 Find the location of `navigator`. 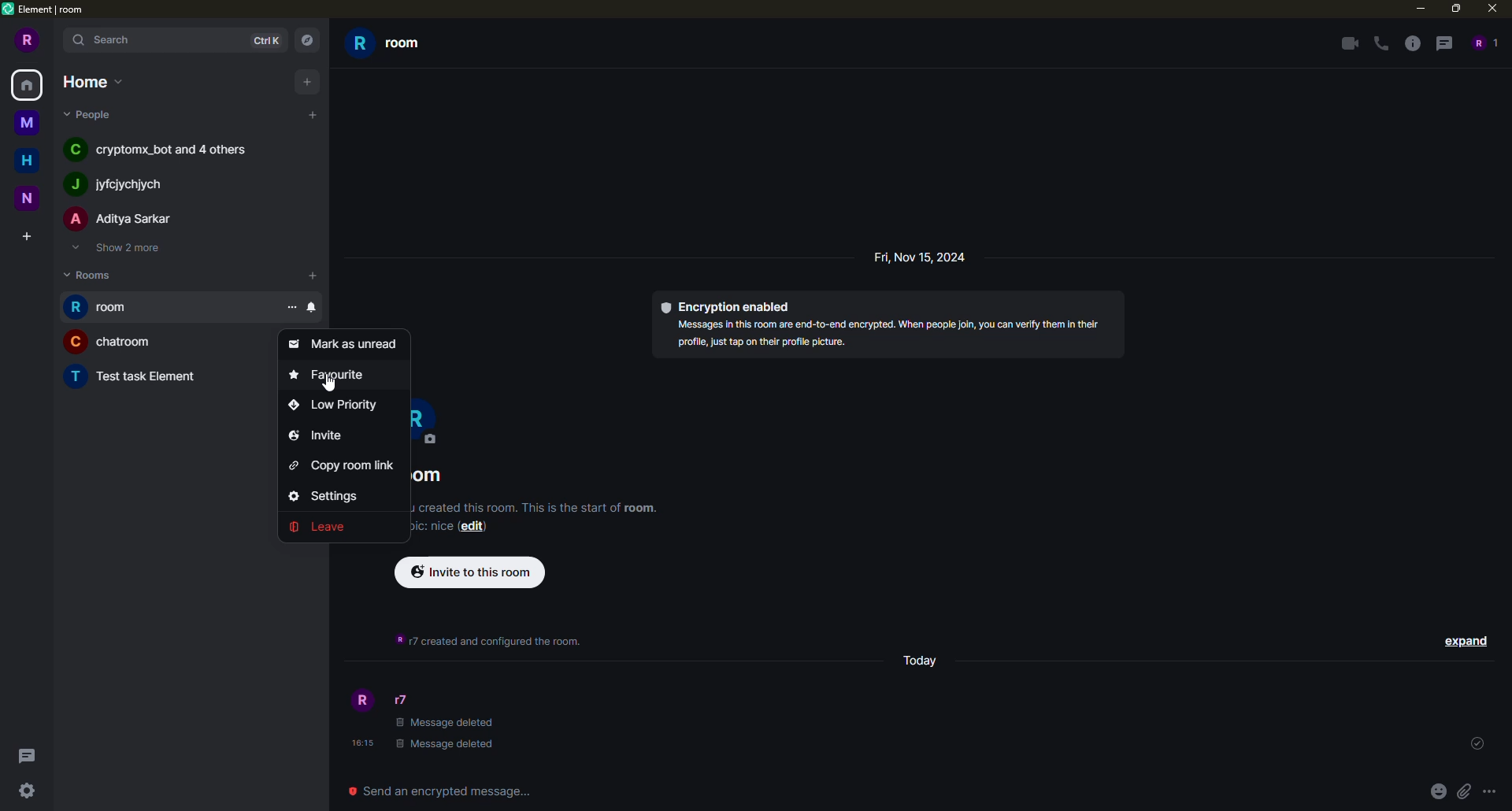

navigator is located at coordinates (310, 40).